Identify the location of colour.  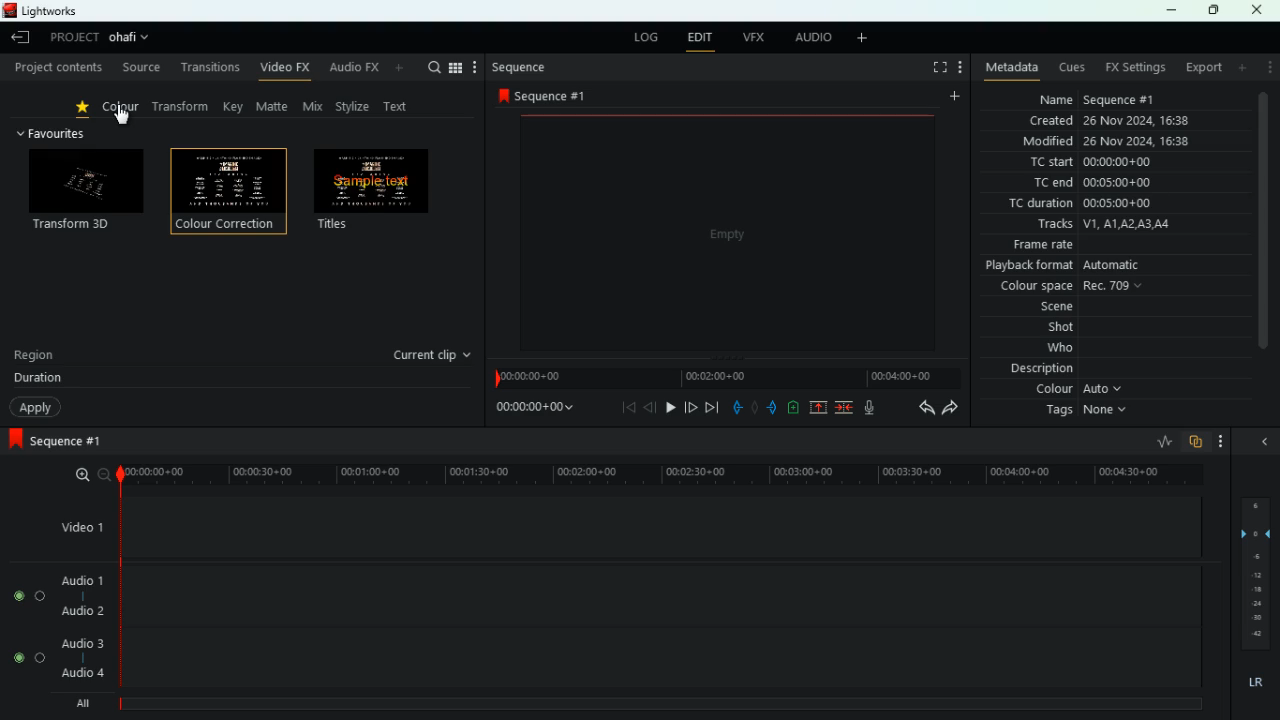
(122, 110).